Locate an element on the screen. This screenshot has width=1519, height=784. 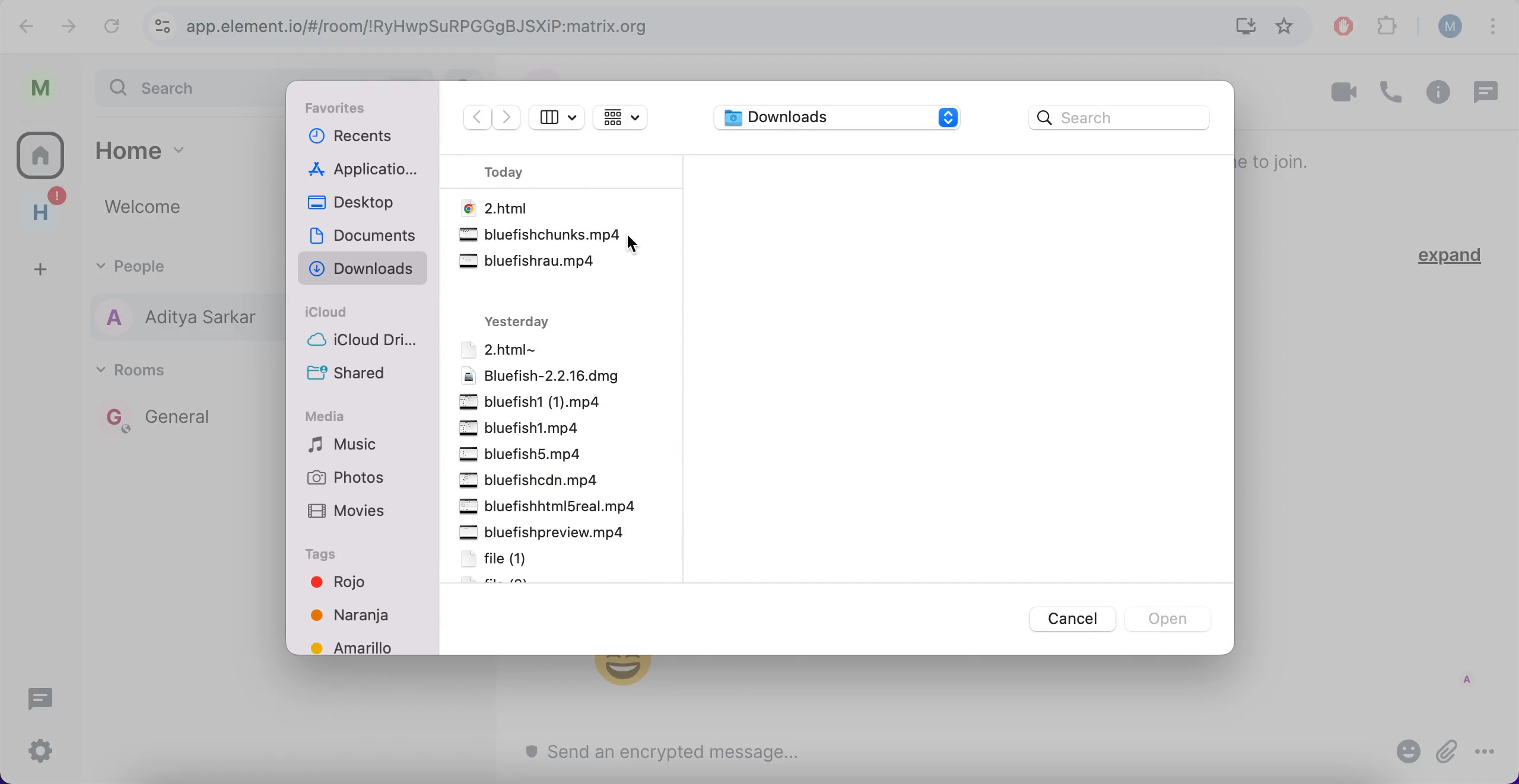
shared is located at coordinates (357, 372).